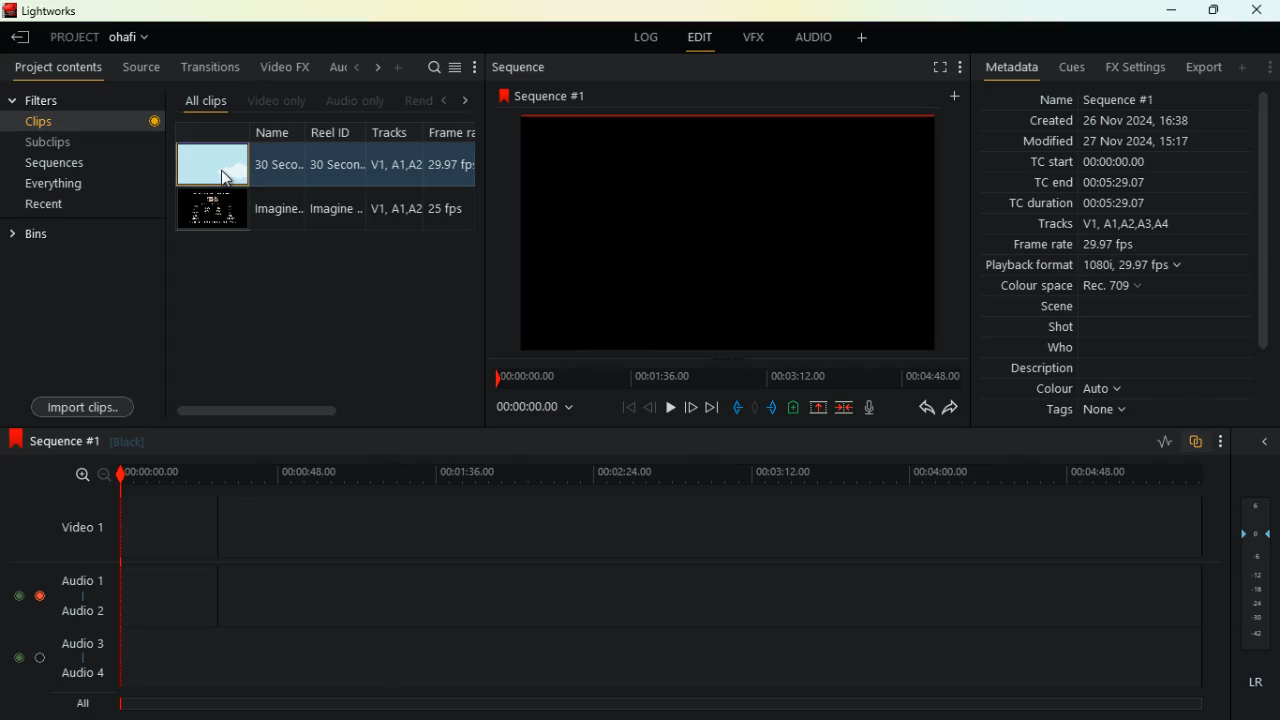 Image resolution: width=1280 pixels, height=720 pixels. Describe the element at coordinates (279, 101) in the screenshot. I see `video only` at that location.